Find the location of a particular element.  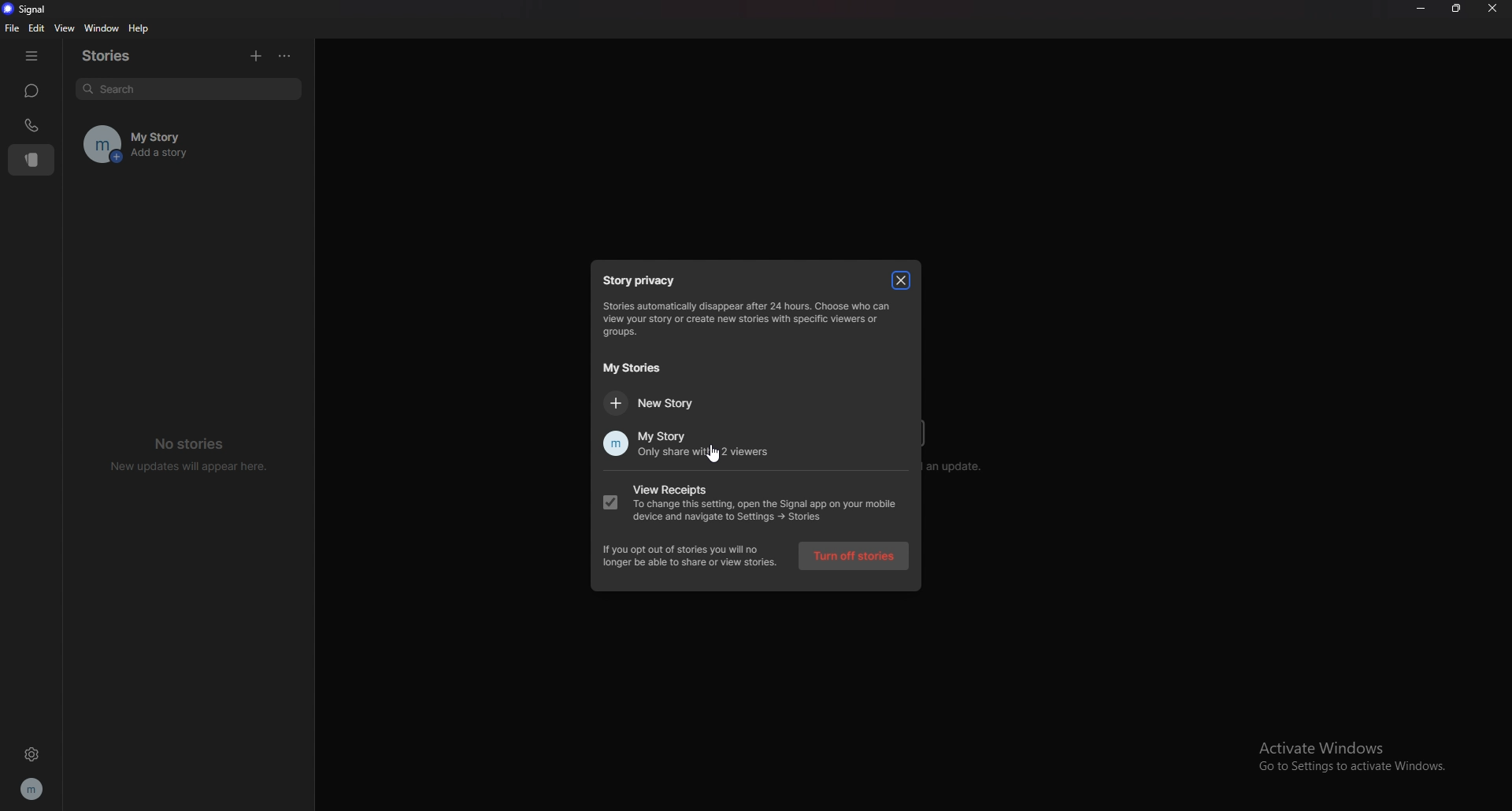

settings is located at coordinates (30, 756).